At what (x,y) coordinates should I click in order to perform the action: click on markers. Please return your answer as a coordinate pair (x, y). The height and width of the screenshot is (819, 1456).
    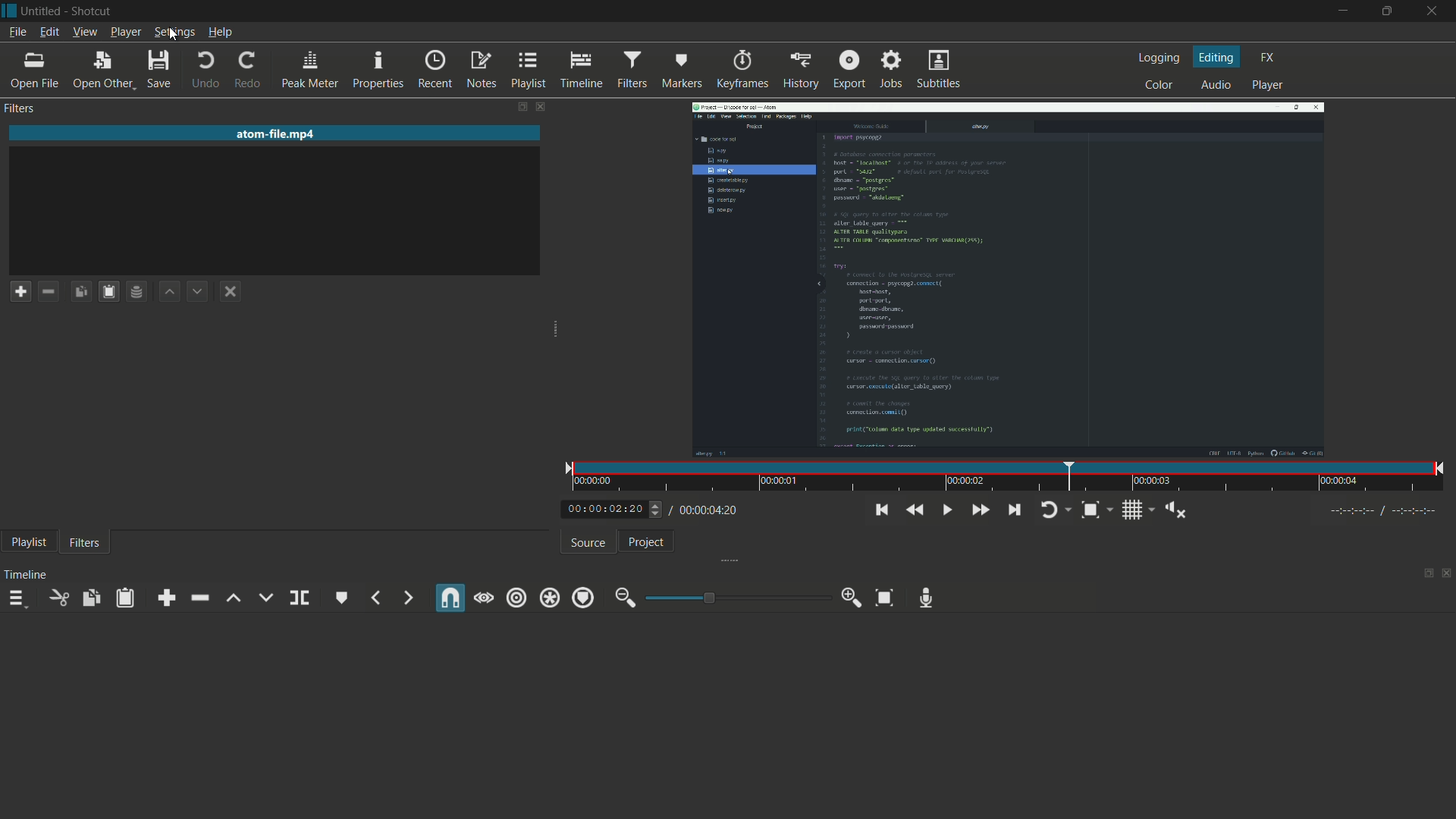
    Looking at the image, I should click on (682, 71).